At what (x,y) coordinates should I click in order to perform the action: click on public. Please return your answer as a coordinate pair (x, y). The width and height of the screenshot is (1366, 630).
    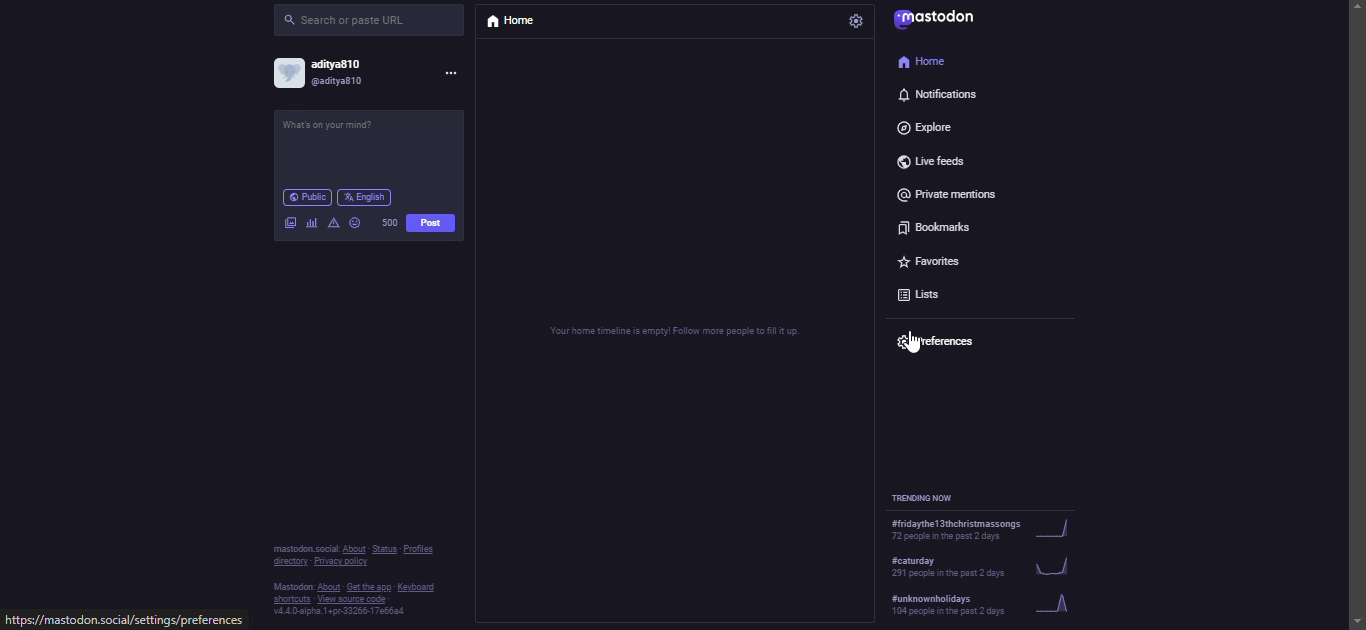
    Looking at the image, I should click on (307, 197).